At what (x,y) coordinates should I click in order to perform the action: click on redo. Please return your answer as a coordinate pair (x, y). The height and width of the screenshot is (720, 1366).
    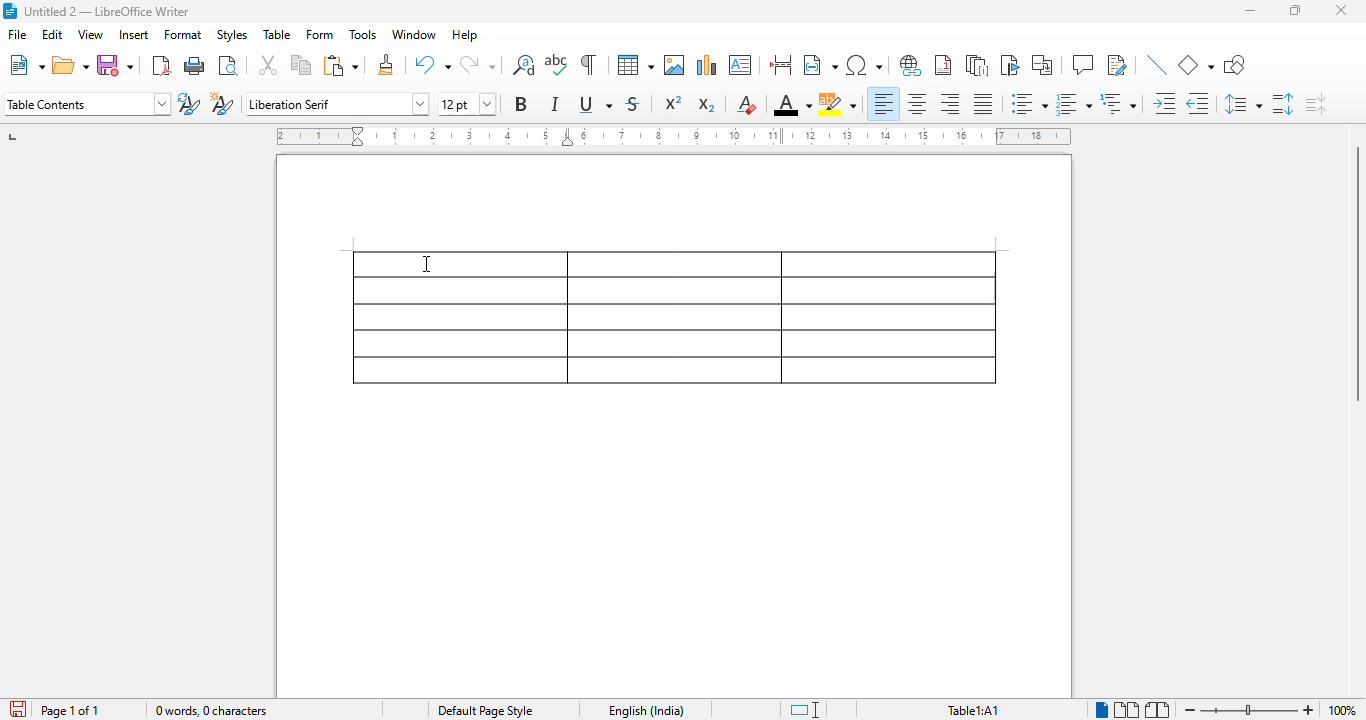
    Looking at the image, I should click on (477, 64).